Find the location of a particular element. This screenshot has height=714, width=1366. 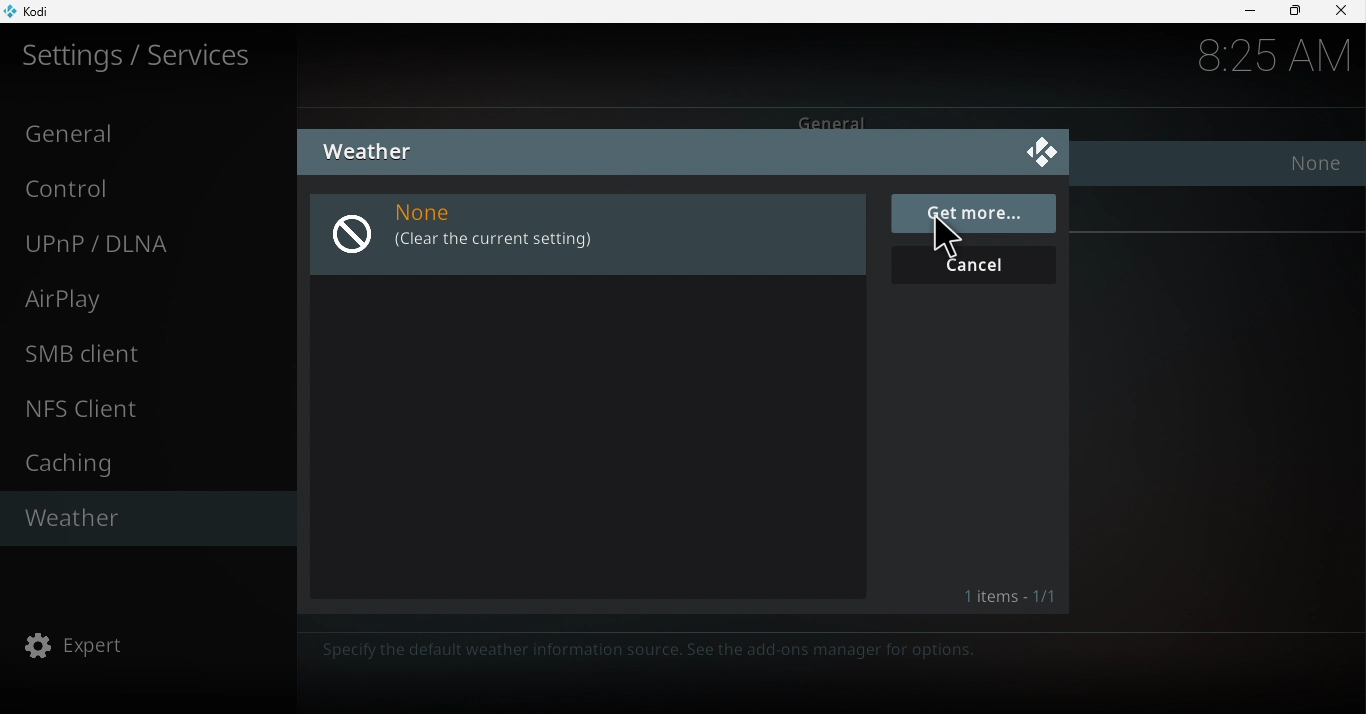

Settings/Services is located at coordinates (140, 63).